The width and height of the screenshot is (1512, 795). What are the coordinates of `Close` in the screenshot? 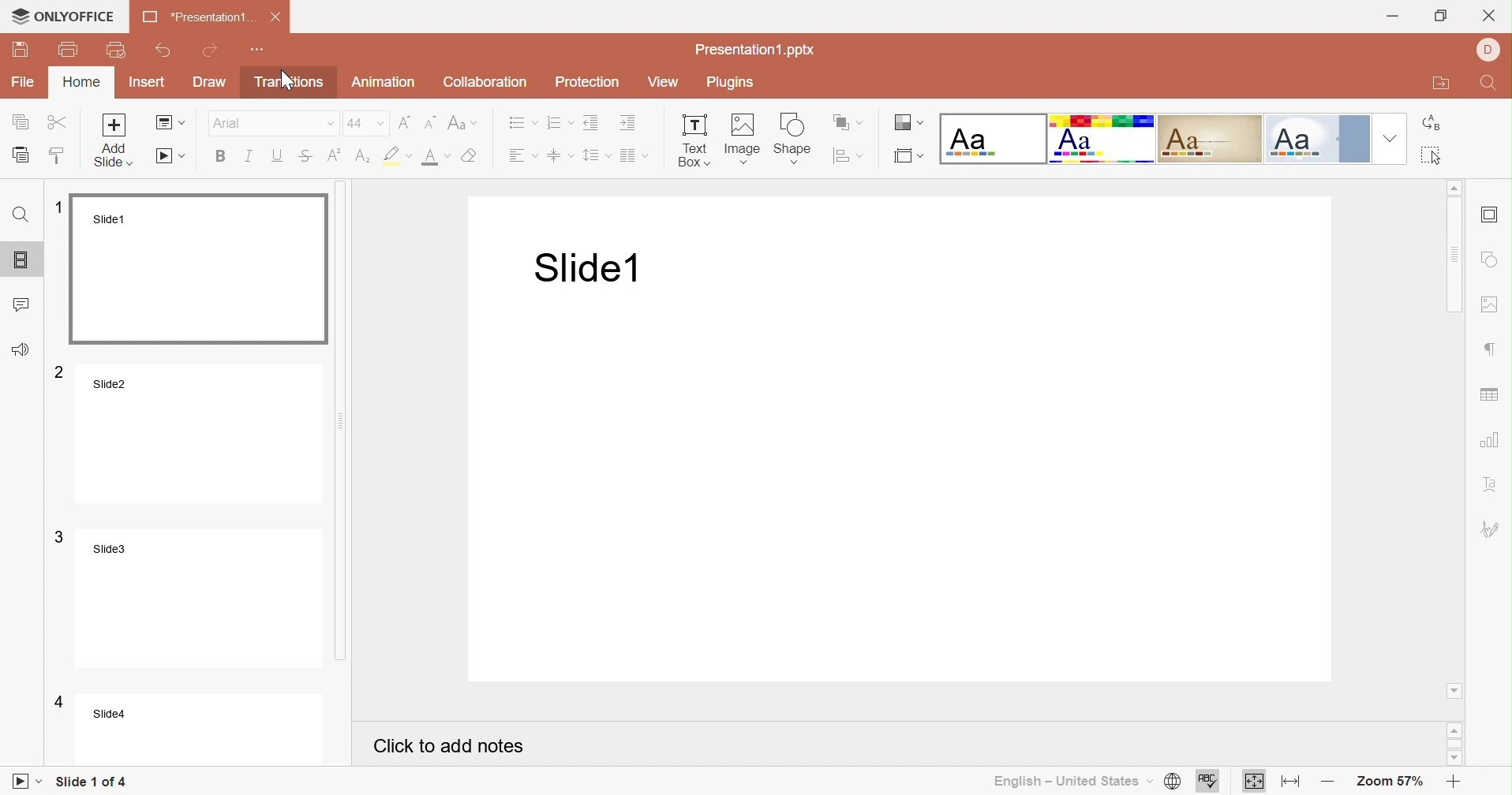 It's located at (1489, 15).